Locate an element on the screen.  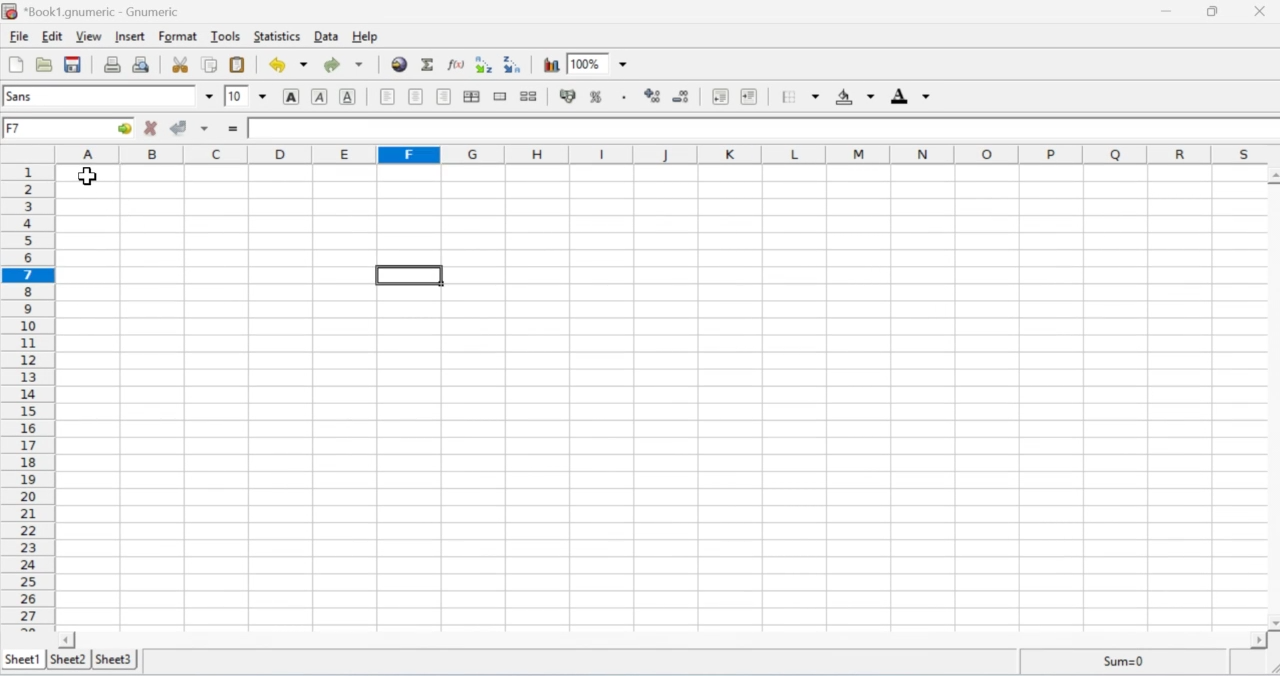
Print the current file is located at coordinates (113, 64).